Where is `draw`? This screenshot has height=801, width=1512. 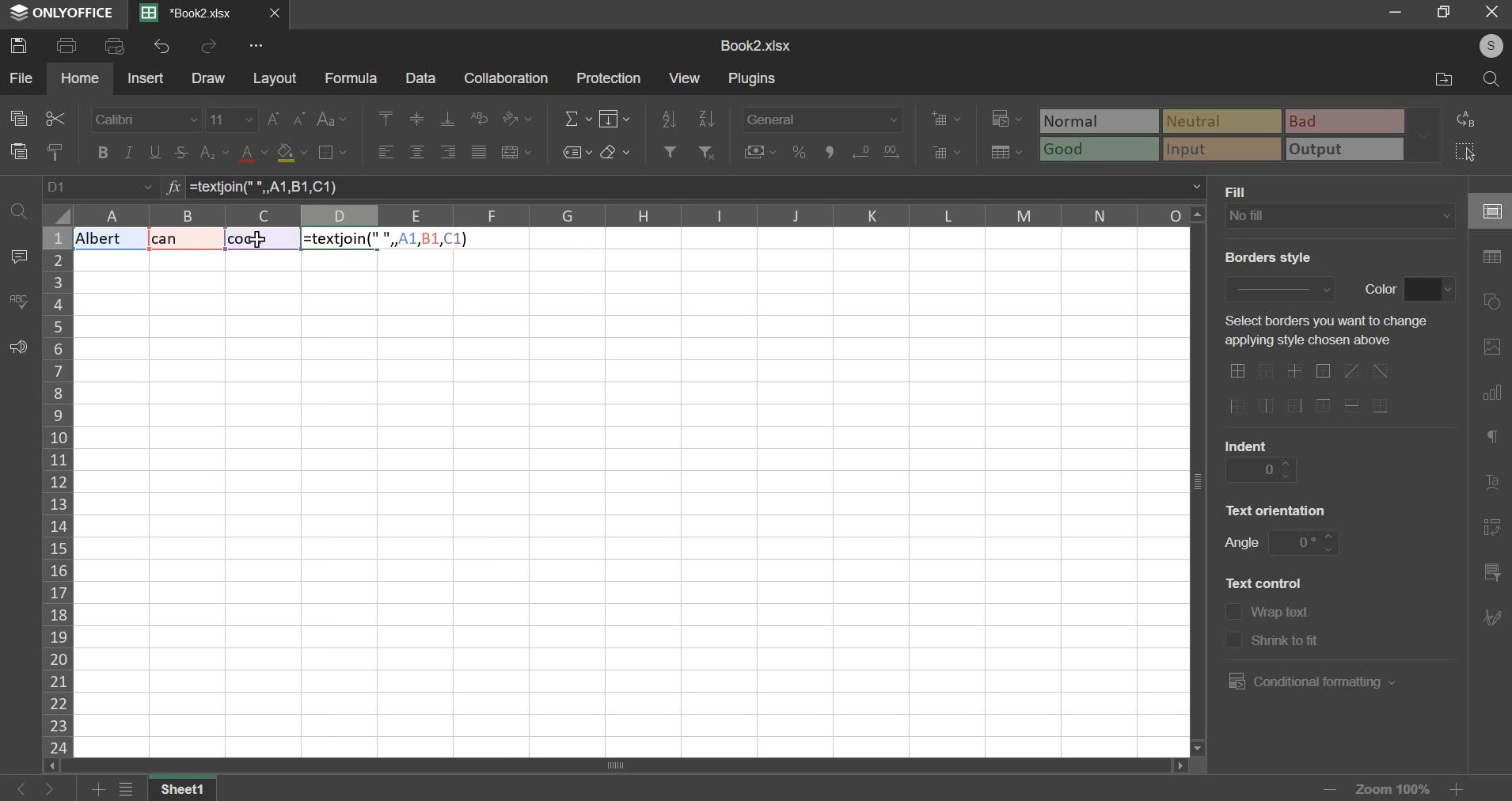
draw is located at coordinates (209, 79).